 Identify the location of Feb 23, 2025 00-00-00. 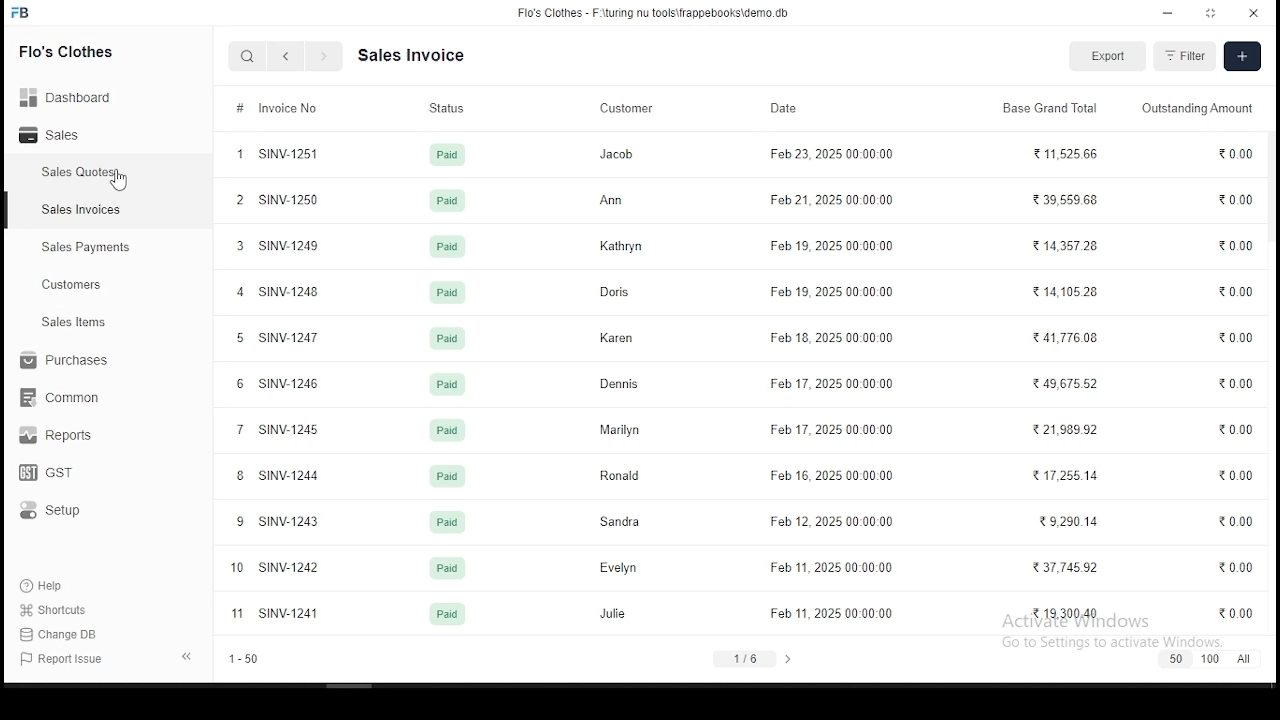
(843, 153).